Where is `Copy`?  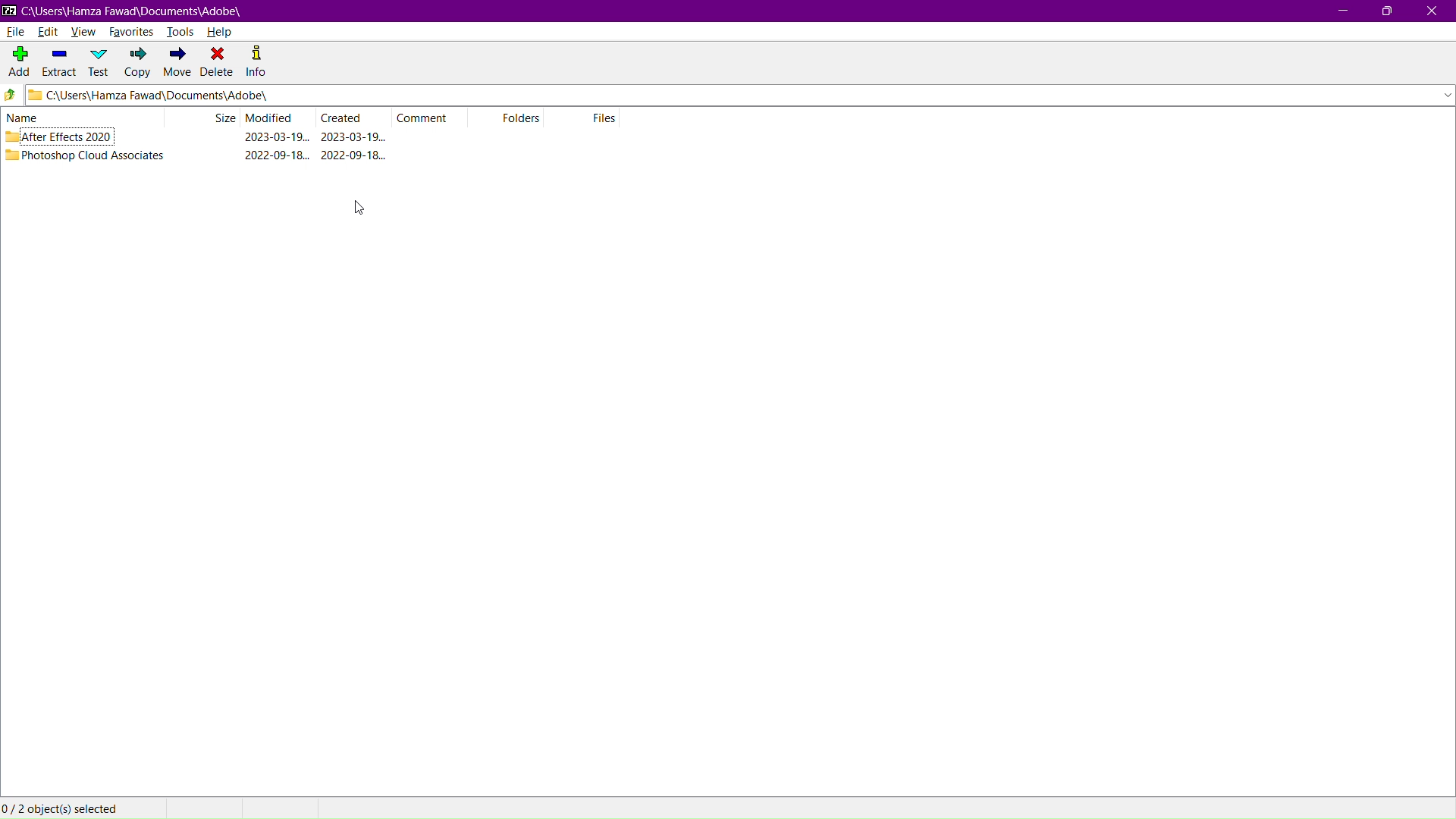 Copy is located at coordinates (135, 63).